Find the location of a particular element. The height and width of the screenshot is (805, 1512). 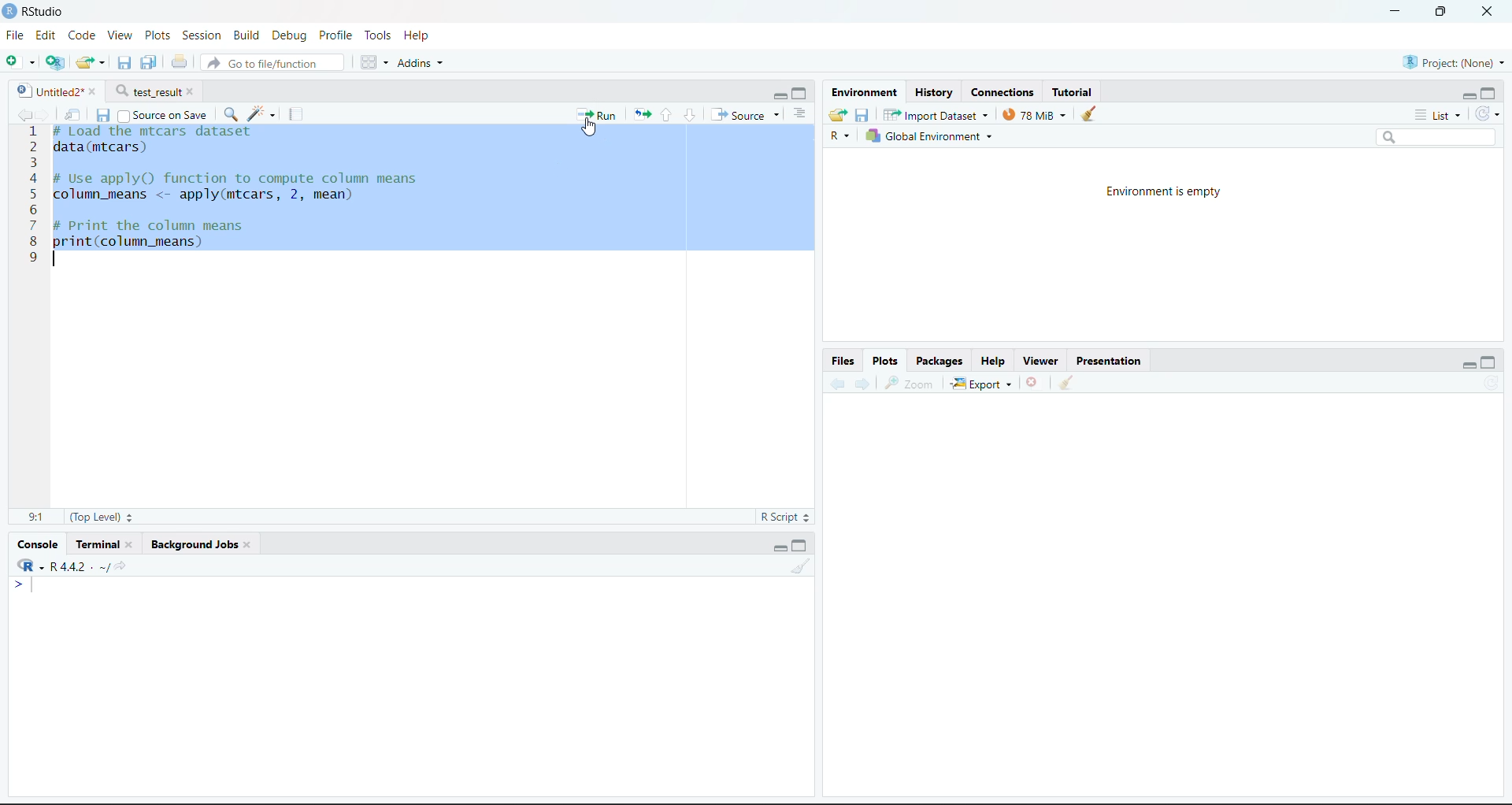

Environment is located at coordinates (865, 92).